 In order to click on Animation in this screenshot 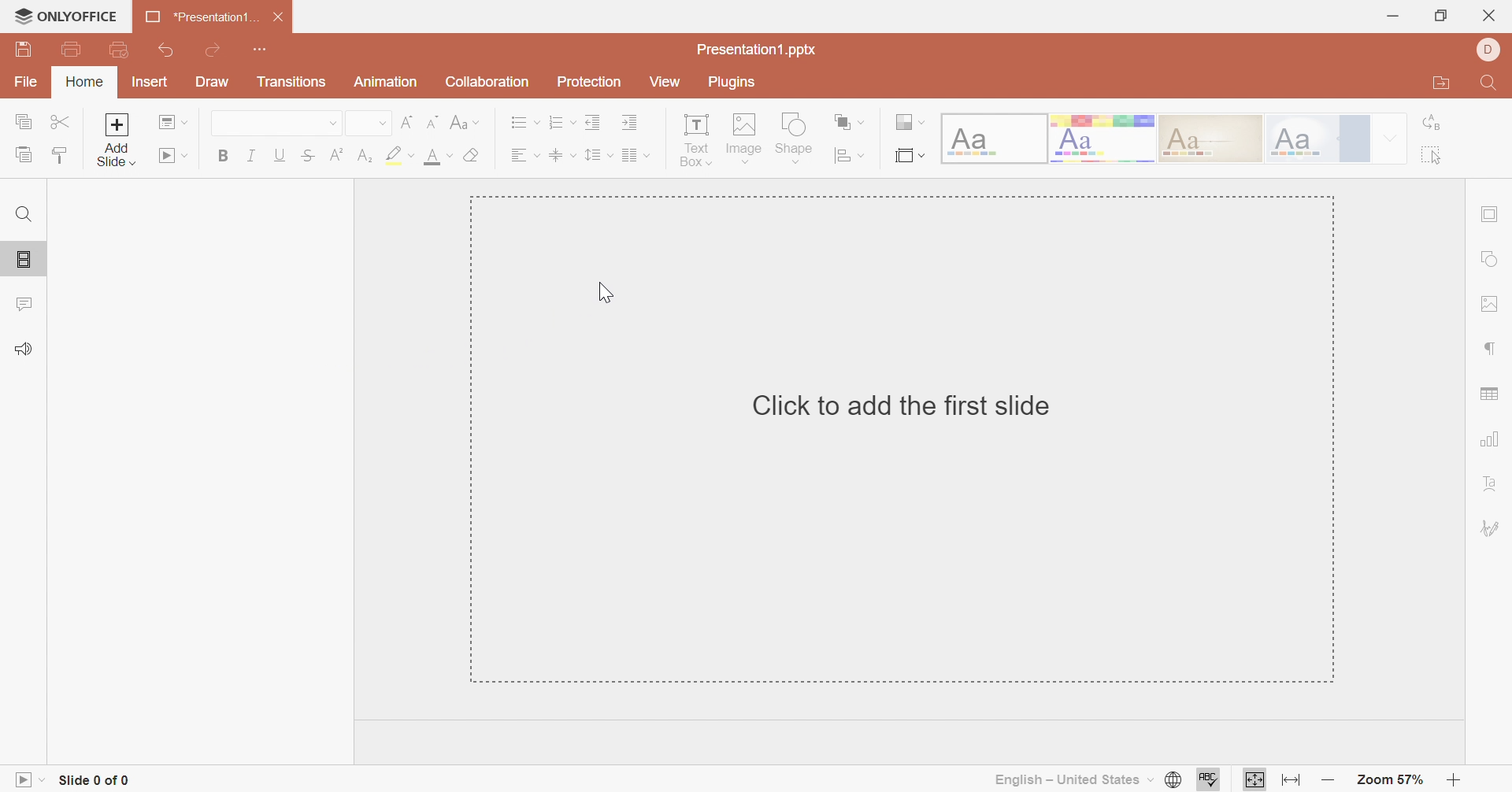, I will do `click(387, 82)`.